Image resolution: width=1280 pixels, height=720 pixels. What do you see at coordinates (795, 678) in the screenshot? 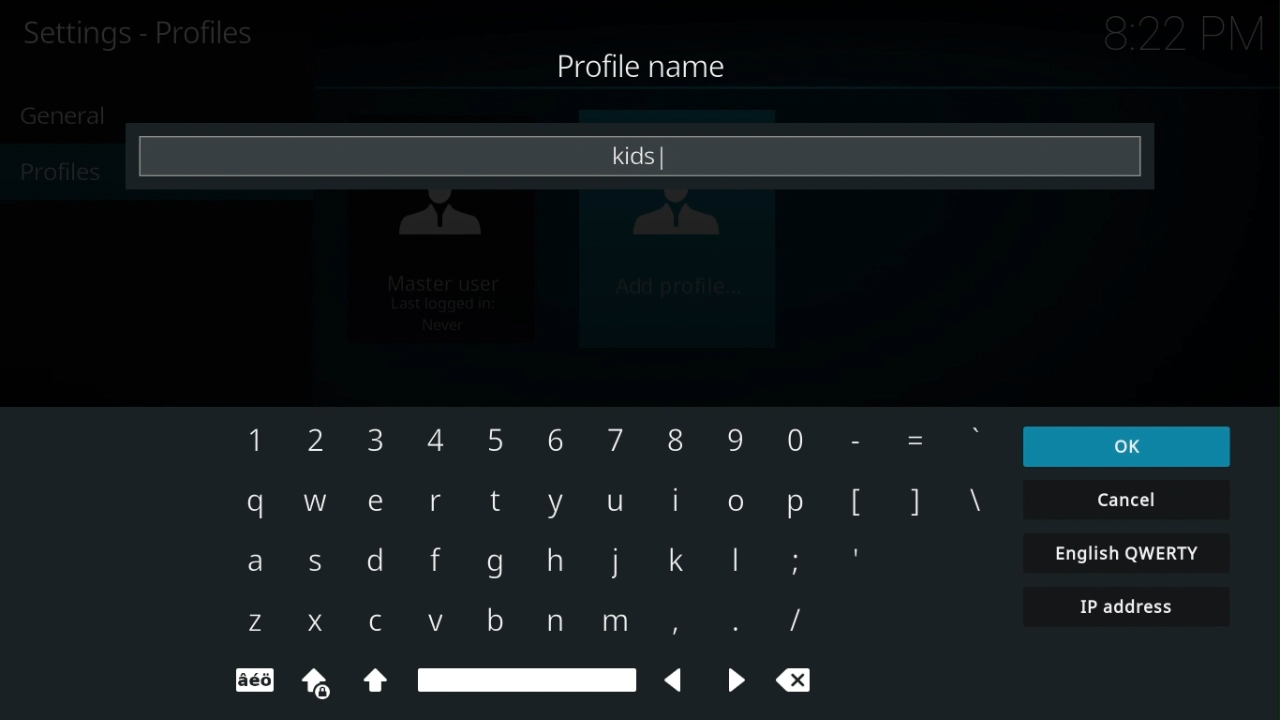
I see `close` at bounding box center [795, 678].